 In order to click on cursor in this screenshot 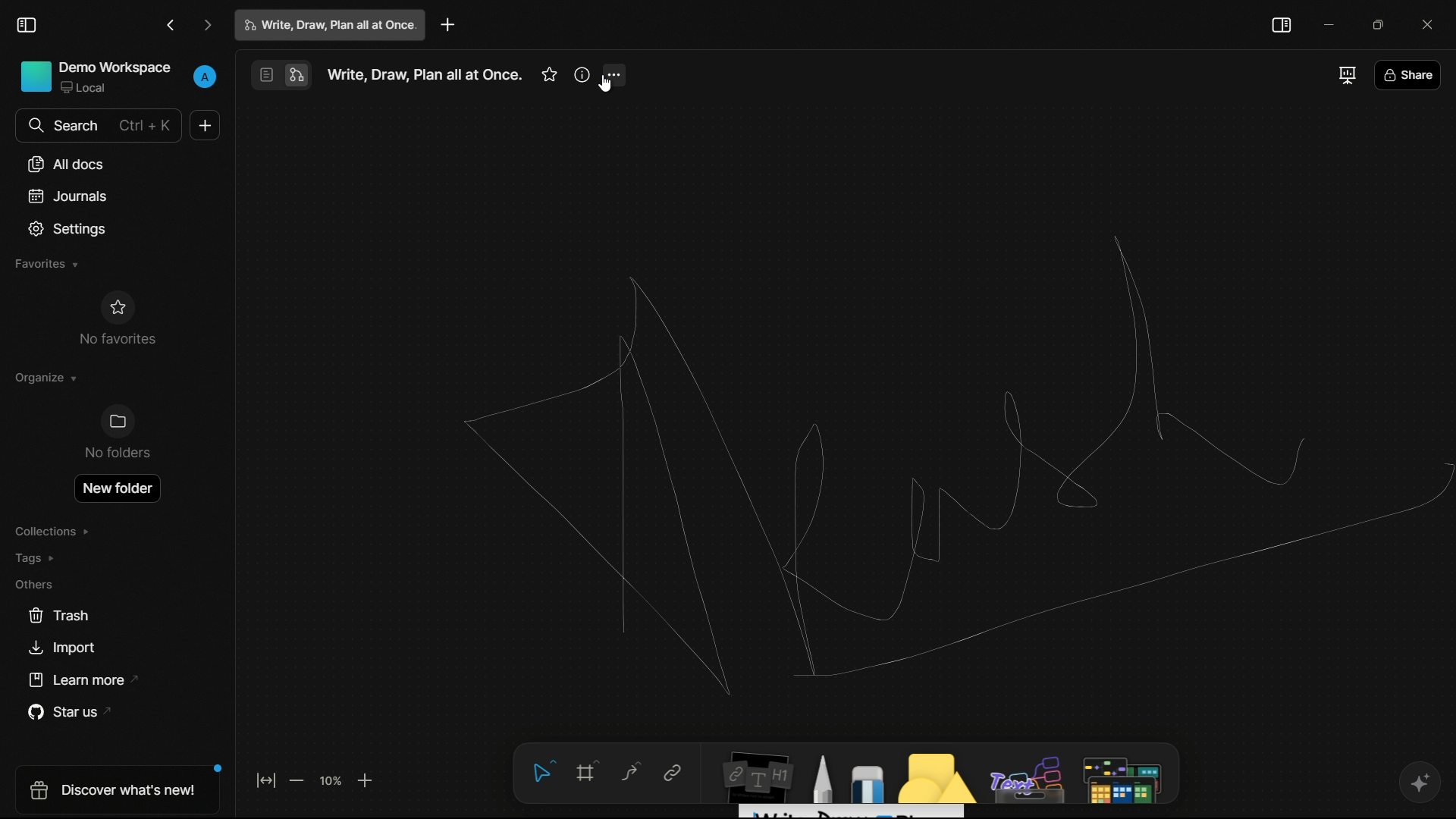, I will do `click(610, 86)`.